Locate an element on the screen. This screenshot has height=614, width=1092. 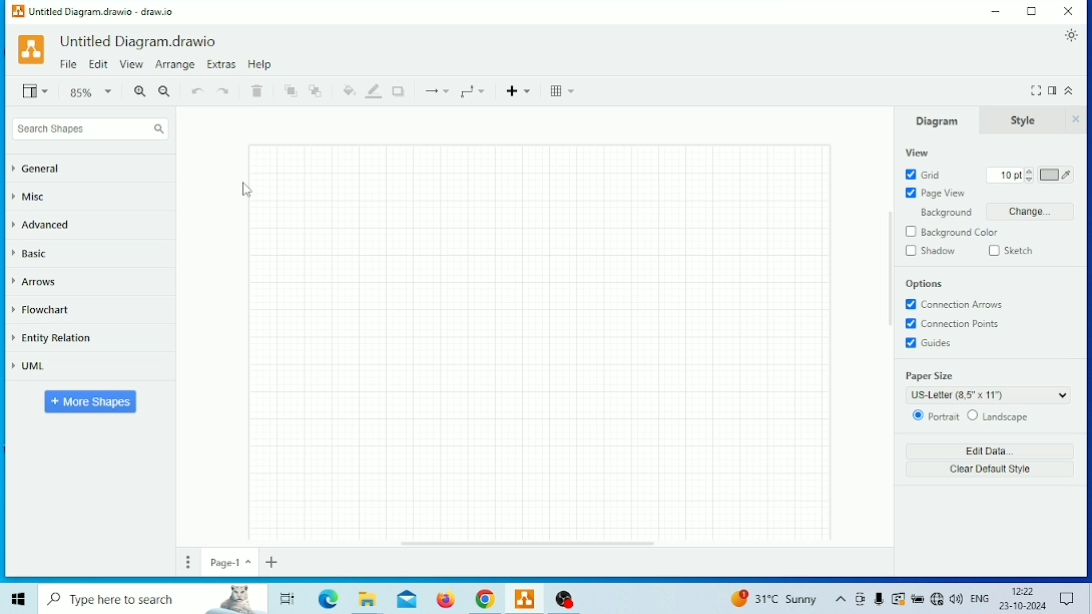
Arrange is located at coordinates (174, 64).